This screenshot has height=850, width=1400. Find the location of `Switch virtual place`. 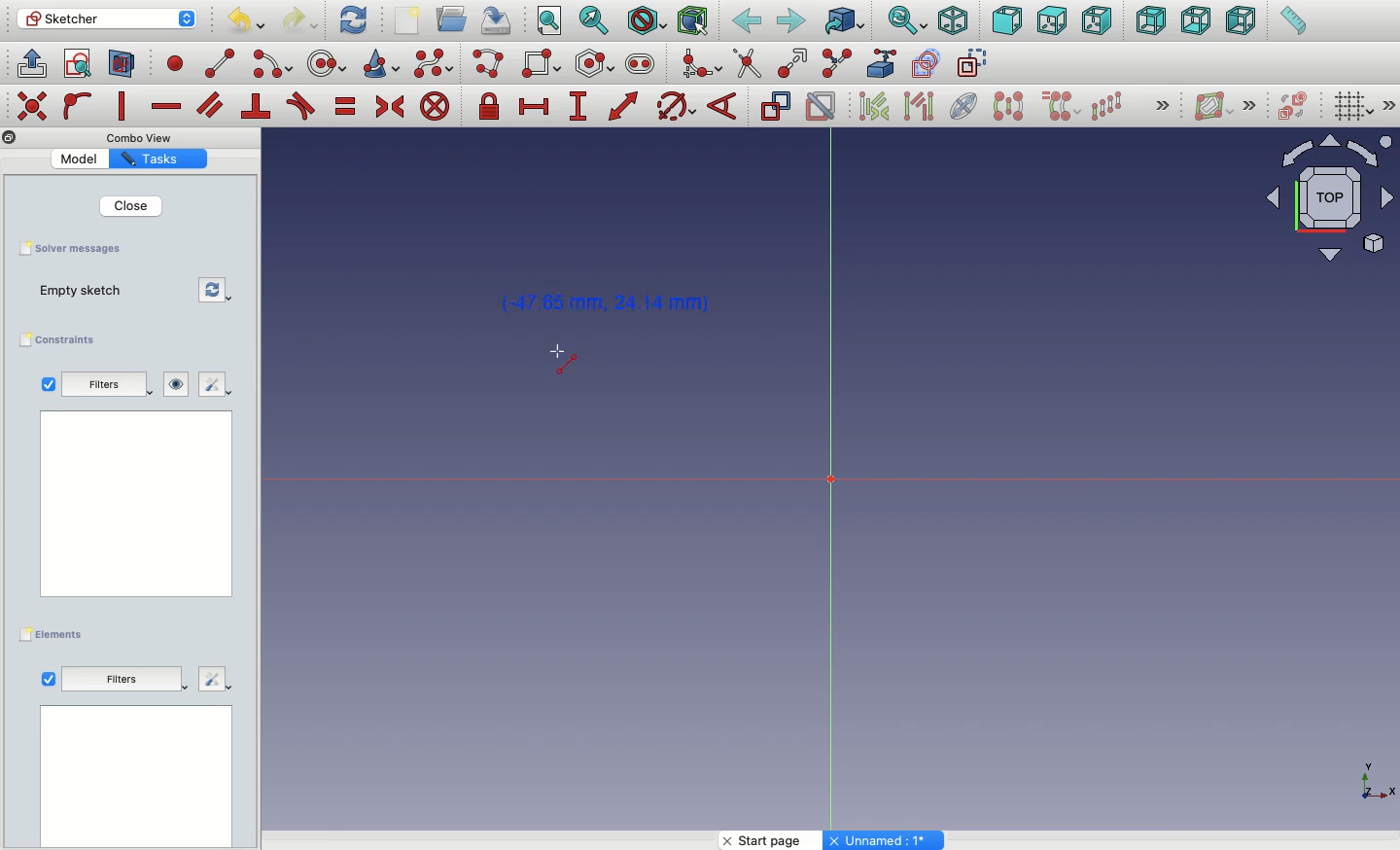

Switch virtual place is located at coordinates (1294, 106).